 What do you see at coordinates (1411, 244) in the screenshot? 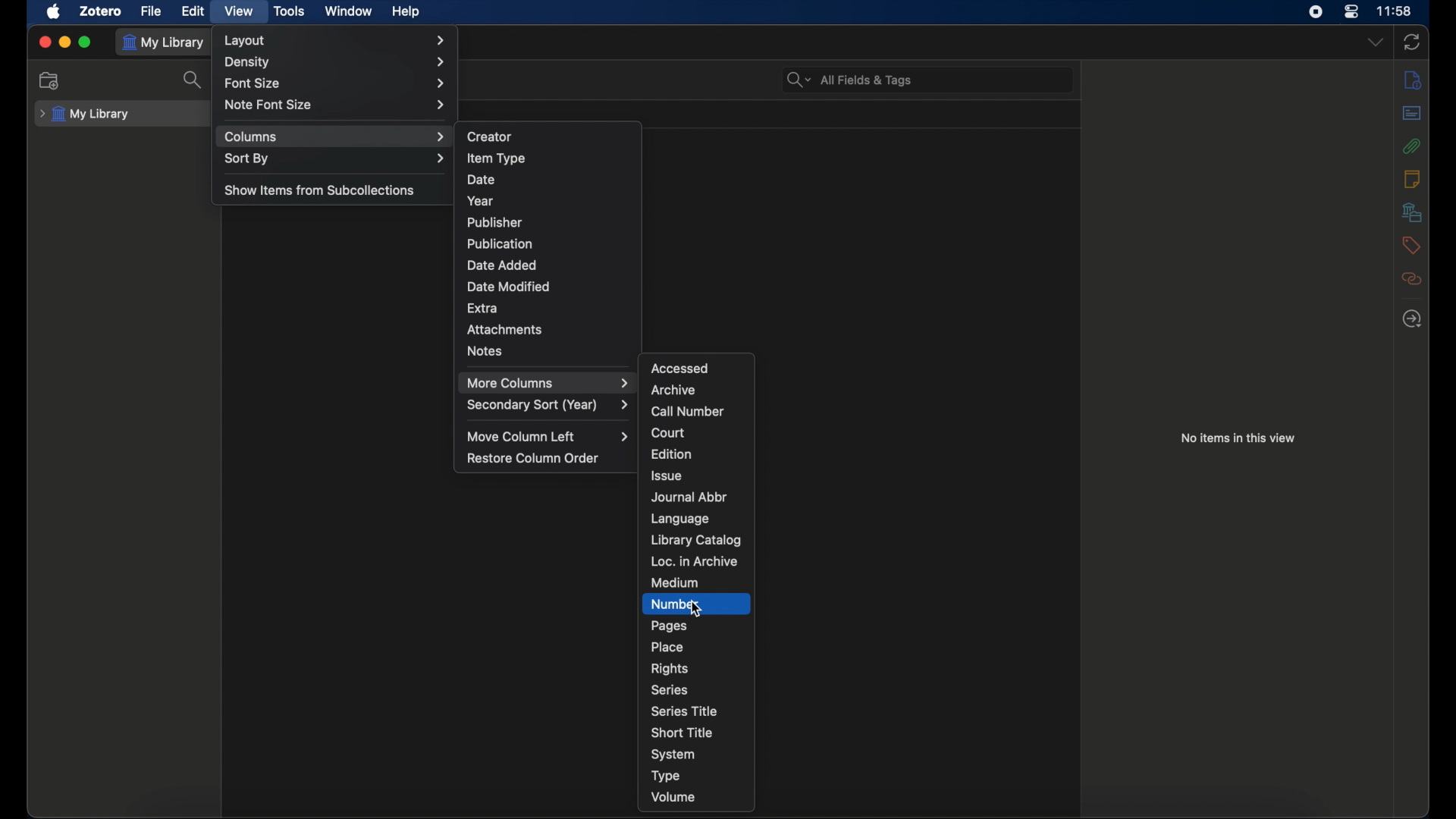
I see `tags` at bounding box center [1411, 244].